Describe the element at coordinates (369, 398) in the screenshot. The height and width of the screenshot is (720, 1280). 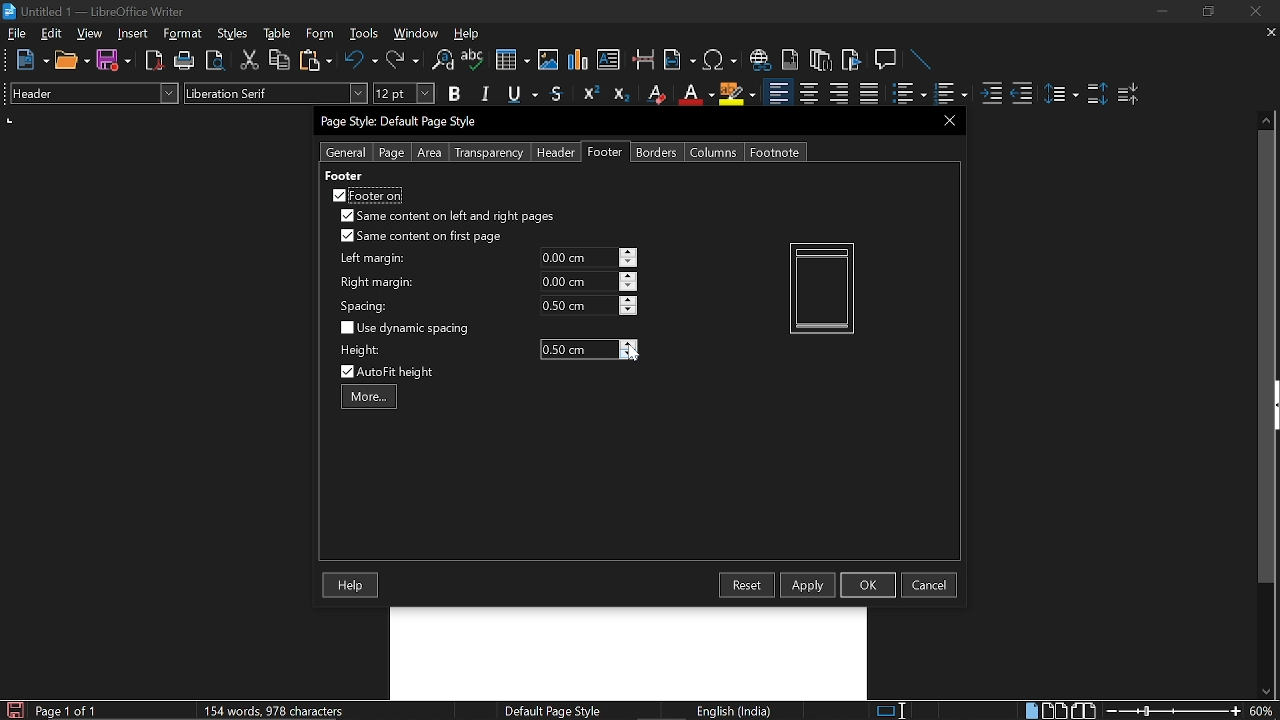
I see `more` at that location.